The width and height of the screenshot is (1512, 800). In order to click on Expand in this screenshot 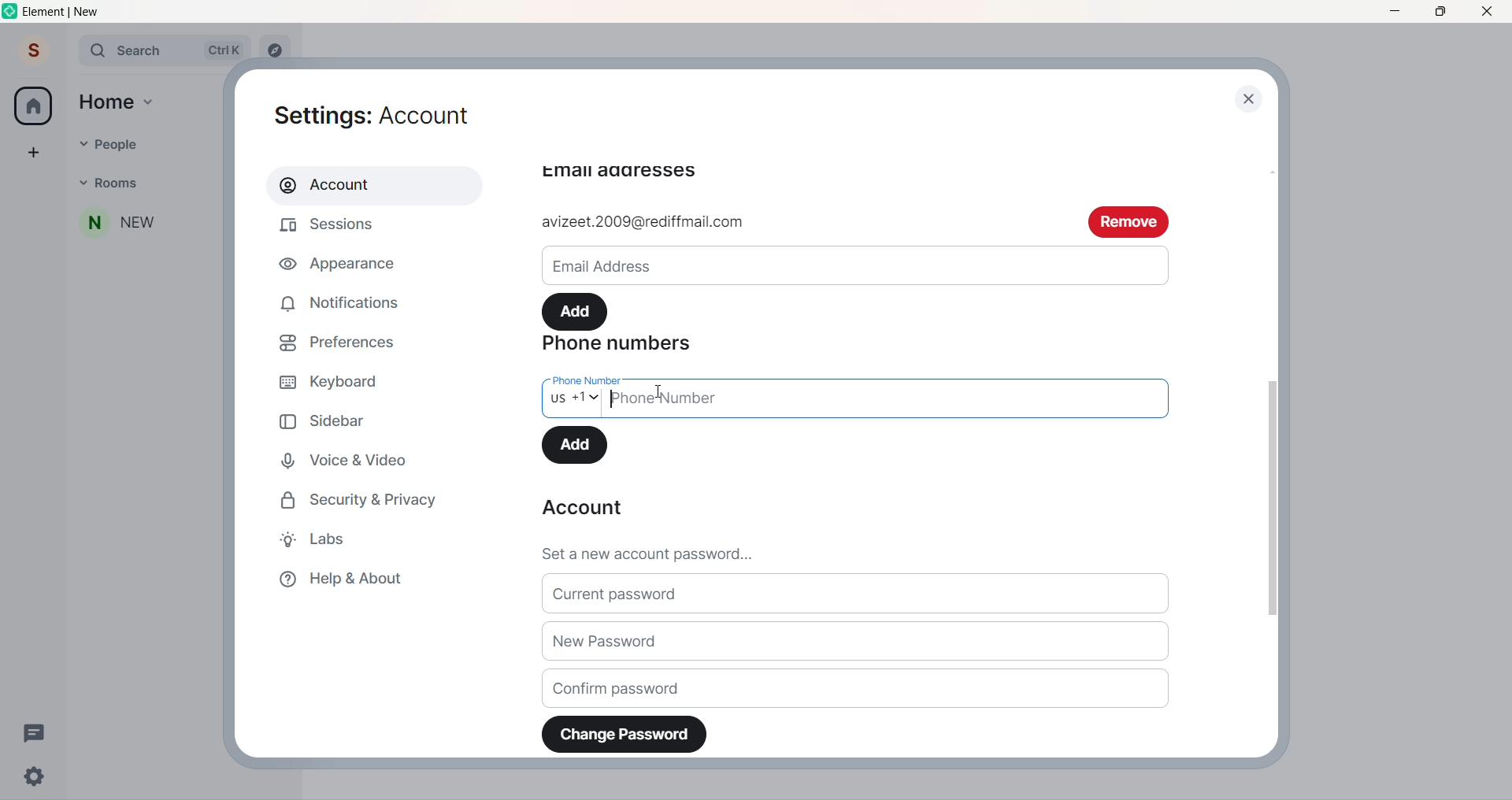, I will do `click(66, 52)`.